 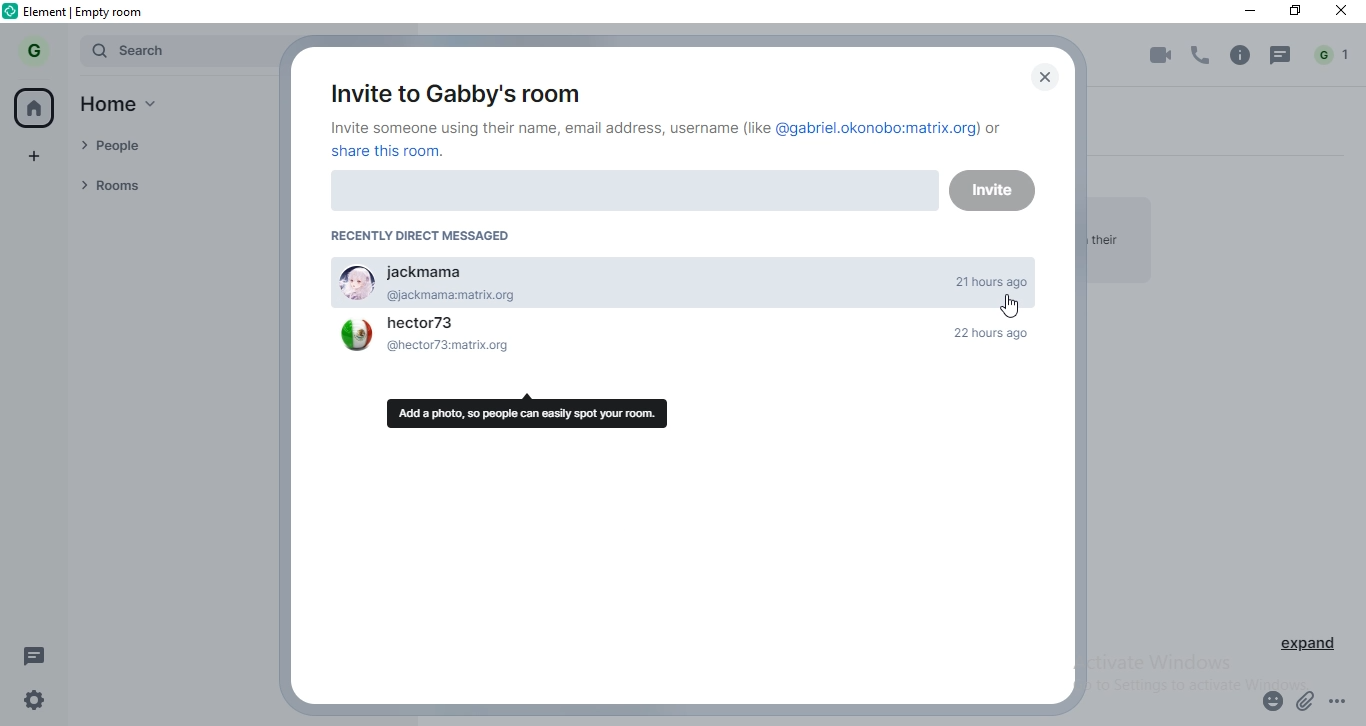 I want to click on minimise, so click(x=1243, y=11).